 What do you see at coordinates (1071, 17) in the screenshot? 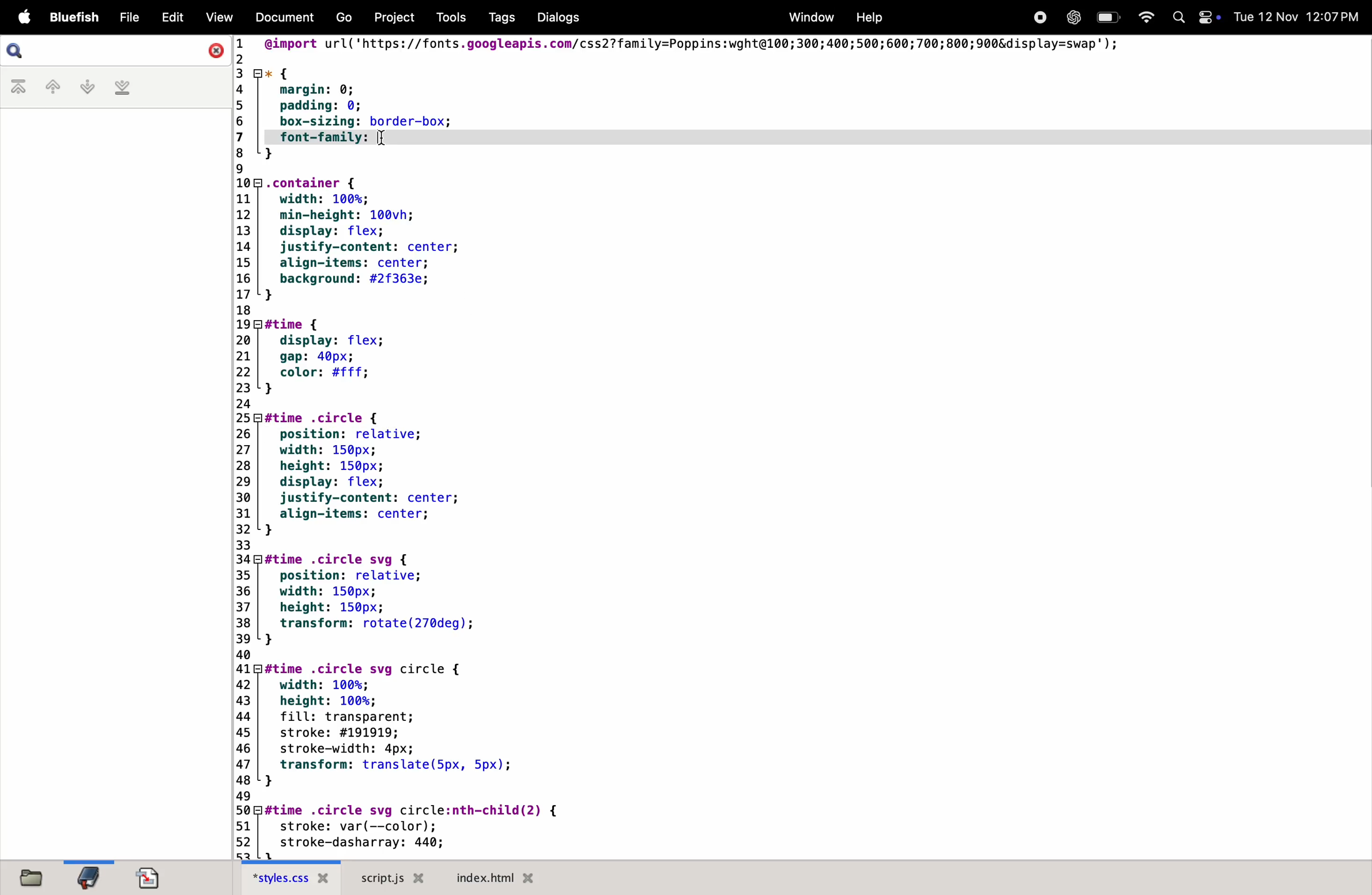
I see `chatgpt` at bounding box center [1071, 17].